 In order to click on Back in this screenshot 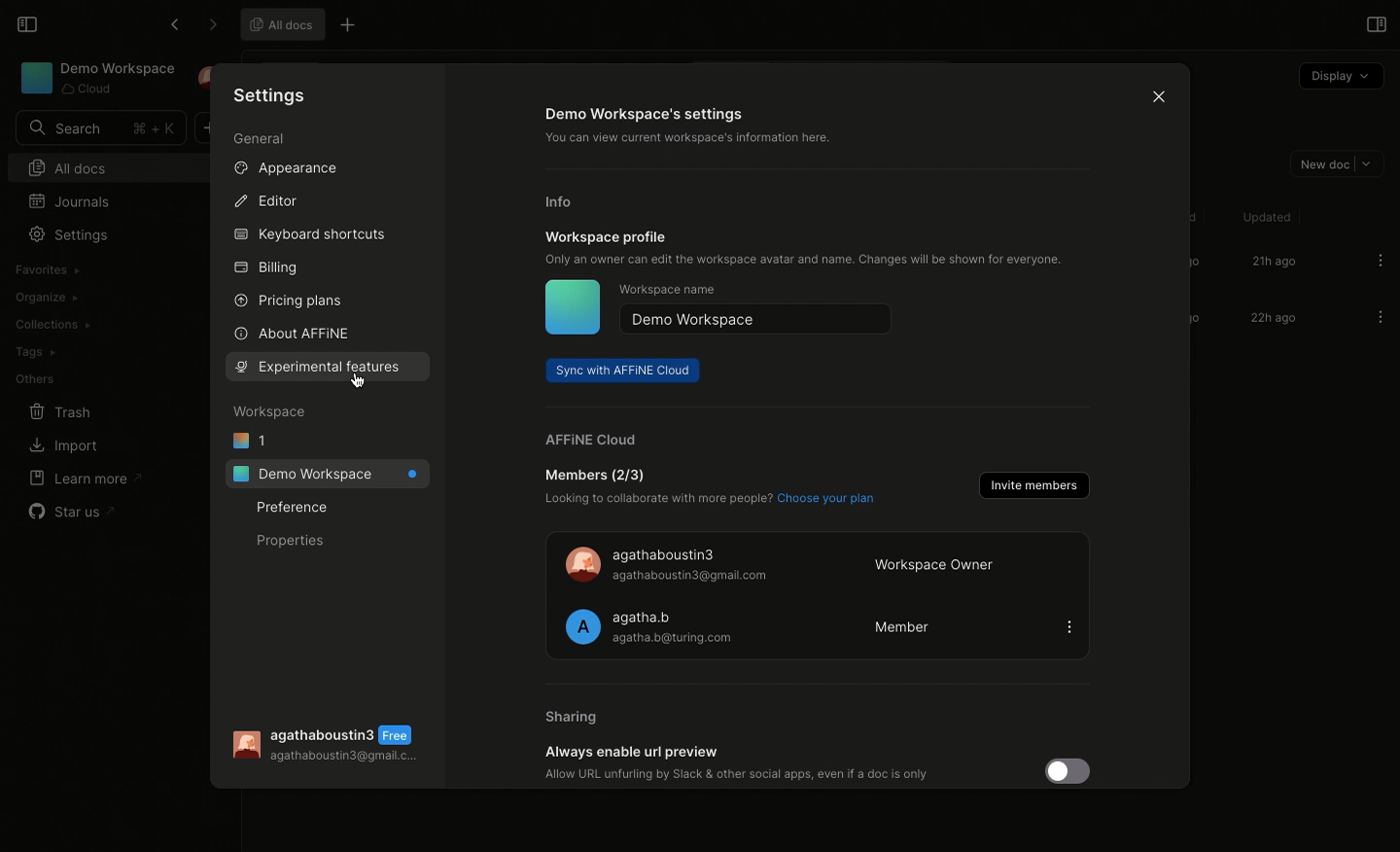, I will do `click(174, 24)`.